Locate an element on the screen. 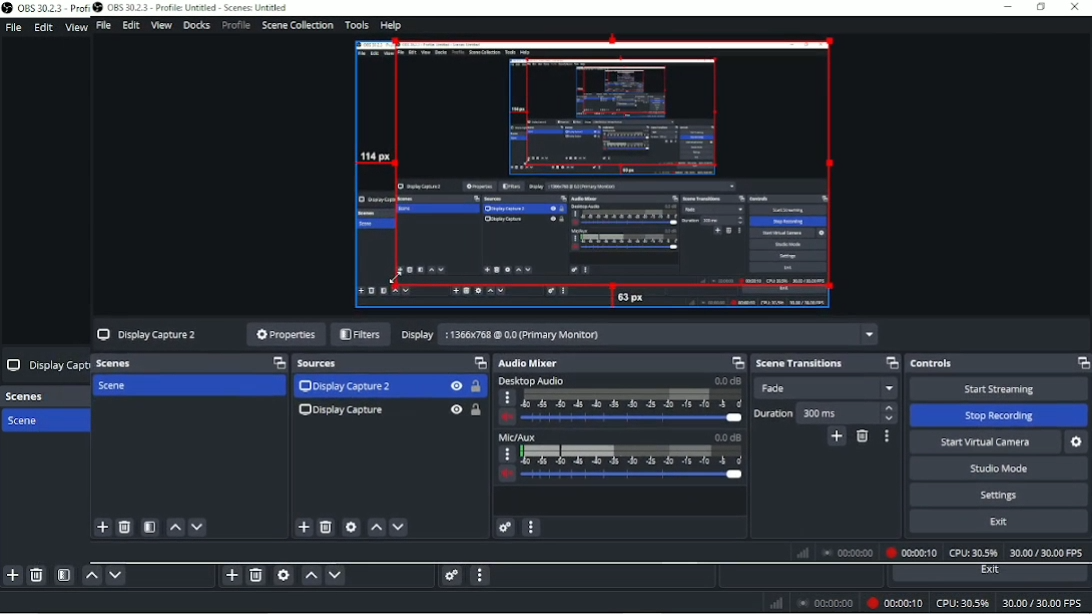 Image resolution: width=1092 pixels, height=614 pixels. scale is located at coordinates (636, 401).